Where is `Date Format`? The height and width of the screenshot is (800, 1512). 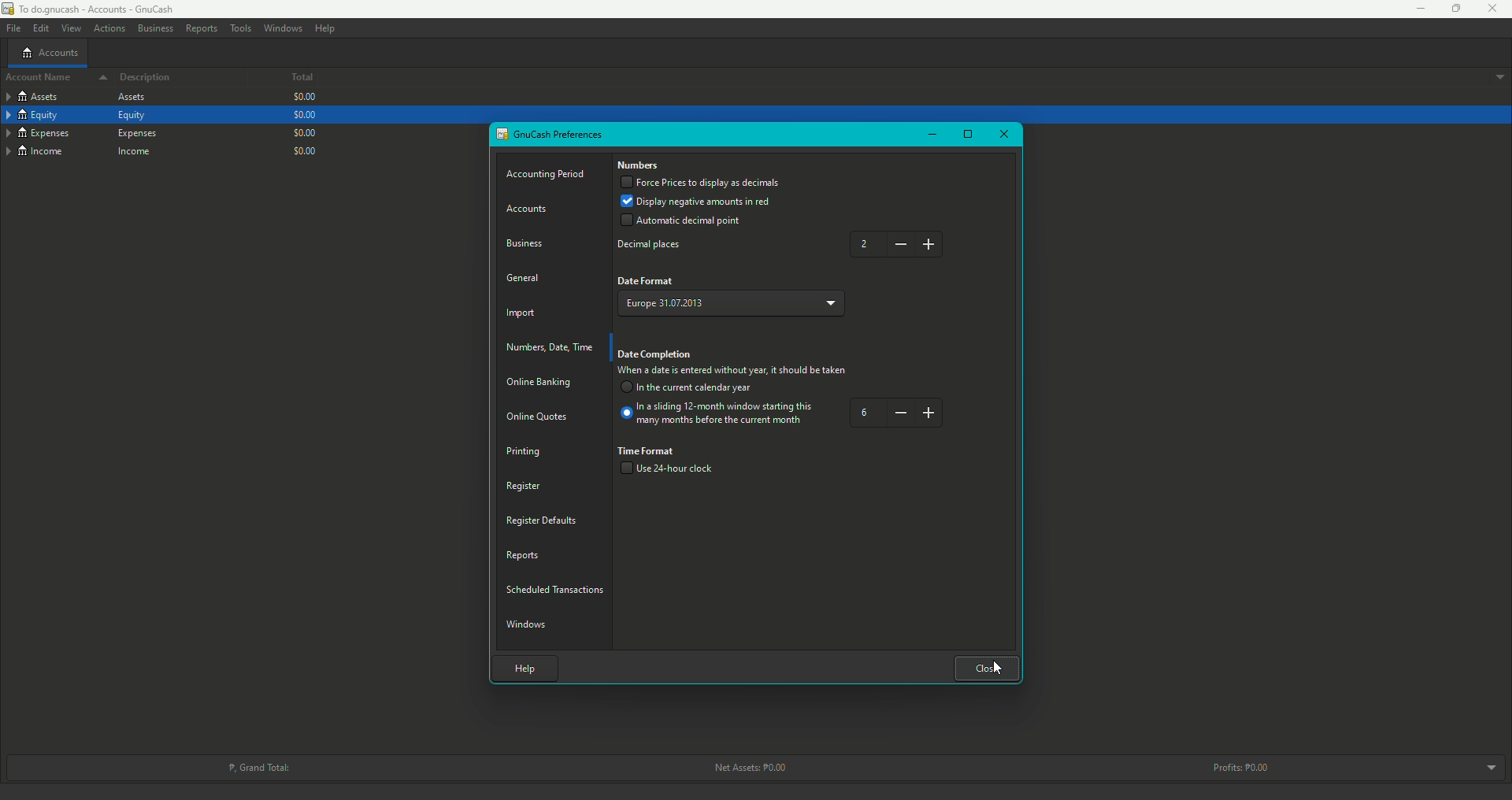 Date Format is located at coordinates (647, 281).